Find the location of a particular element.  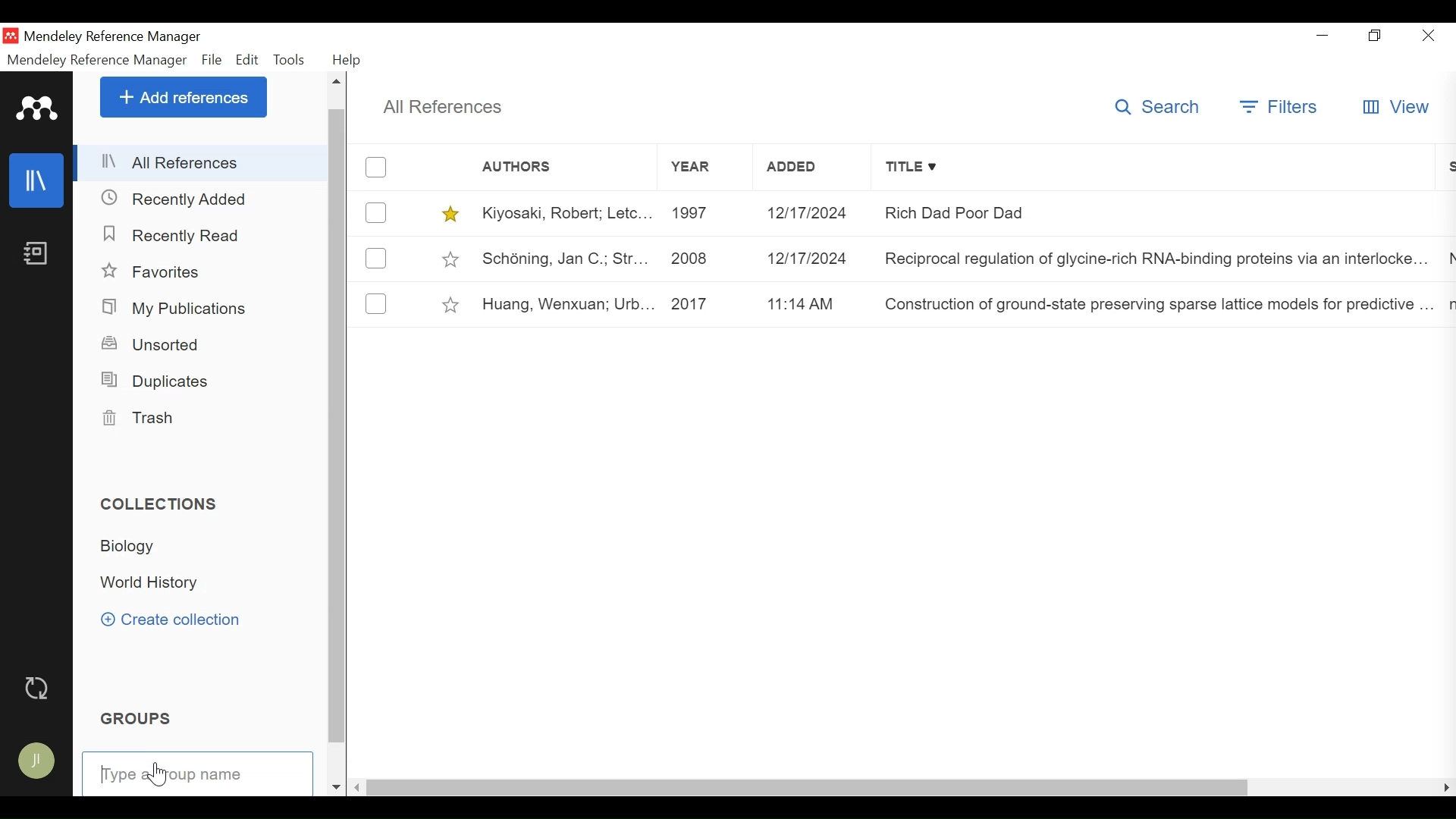

Recently Added is located at coordinates (176, 235).